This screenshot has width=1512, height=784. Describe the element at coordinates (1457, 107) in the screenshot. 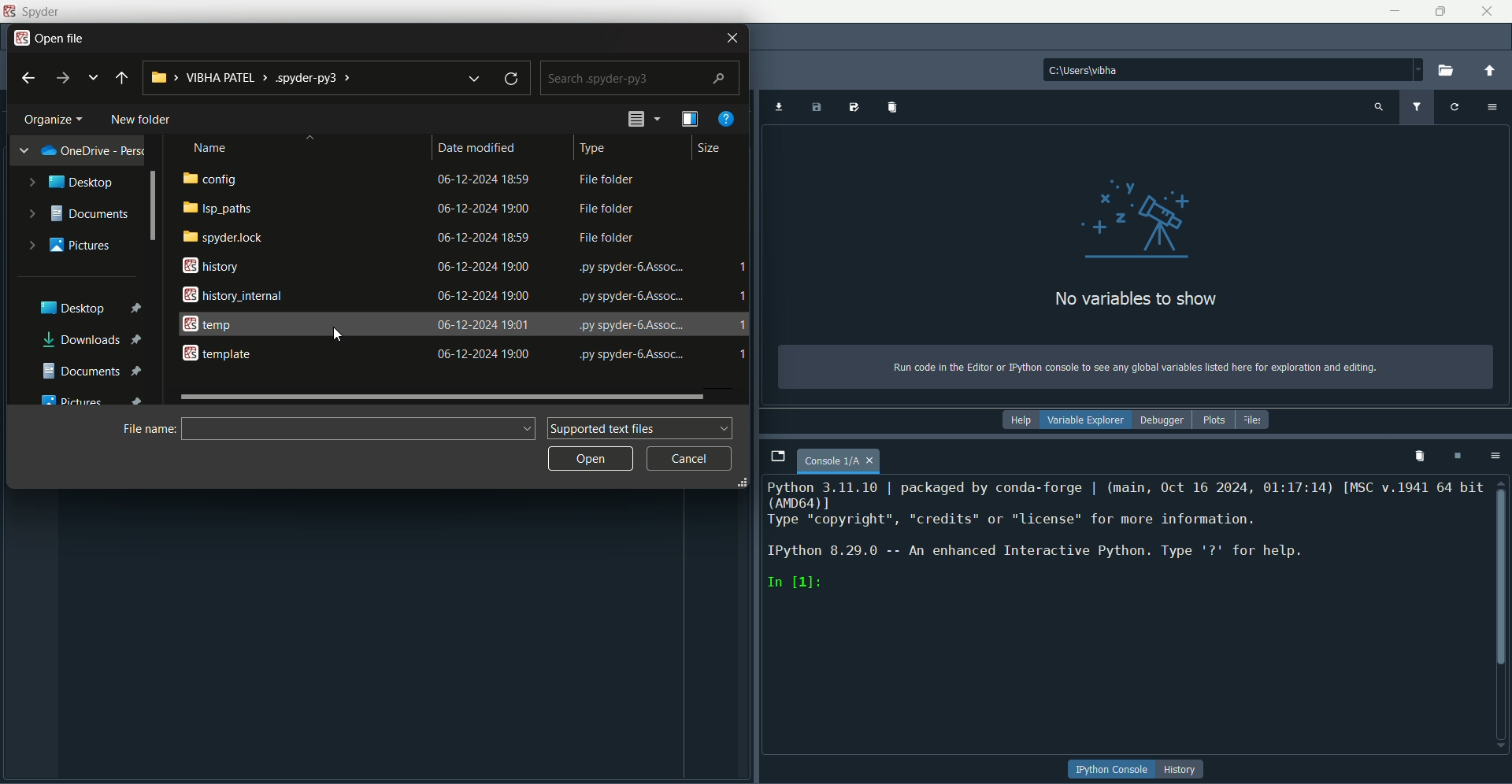

I see `refresh variable` at that location.